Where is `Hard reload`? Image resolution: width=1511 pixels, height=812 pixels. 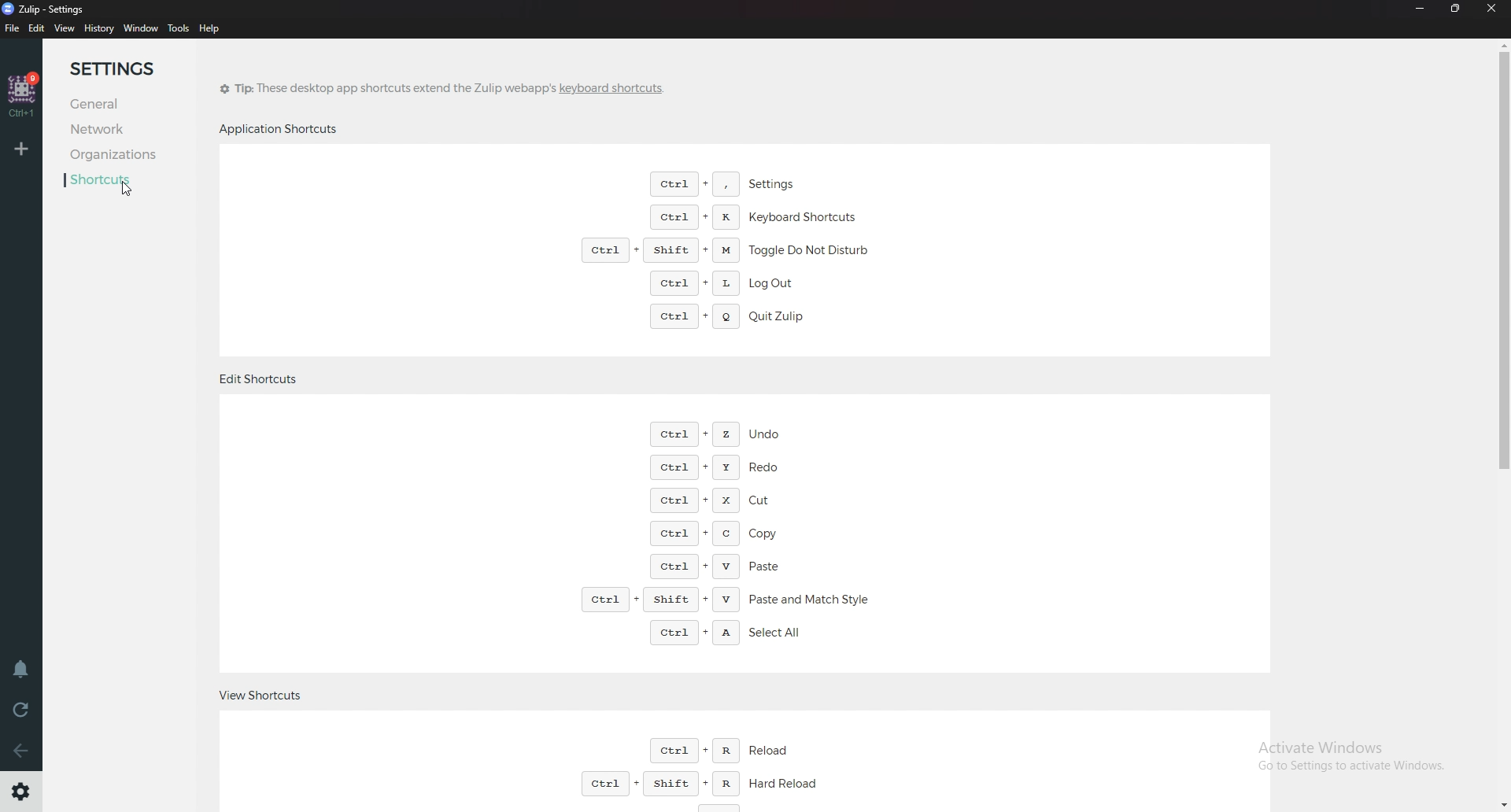 Hard reload is located at coordinates (704, 784).